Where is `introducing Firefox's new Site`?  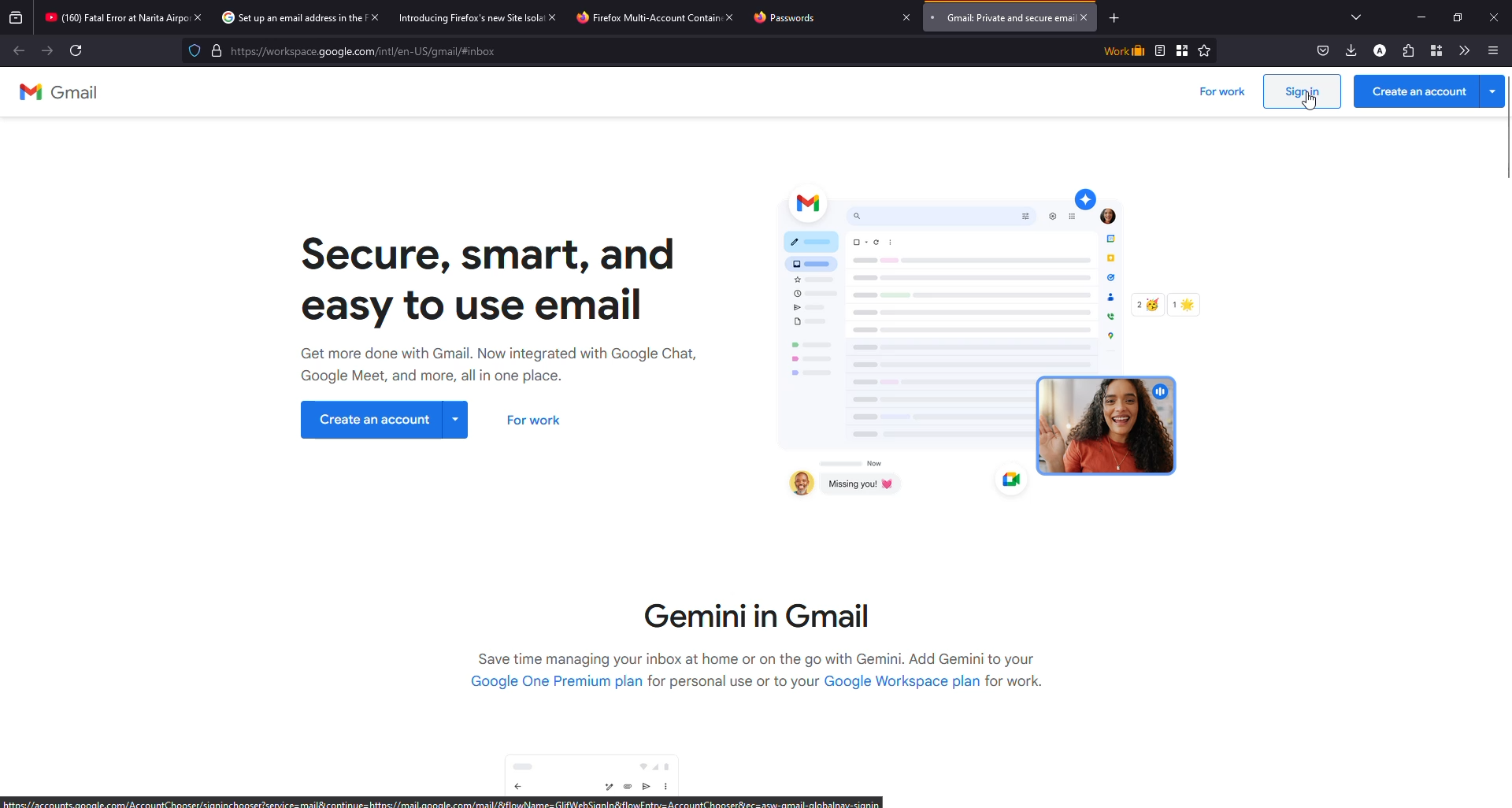 introducing Firefox's new Site is located at coordinates (459, 18).